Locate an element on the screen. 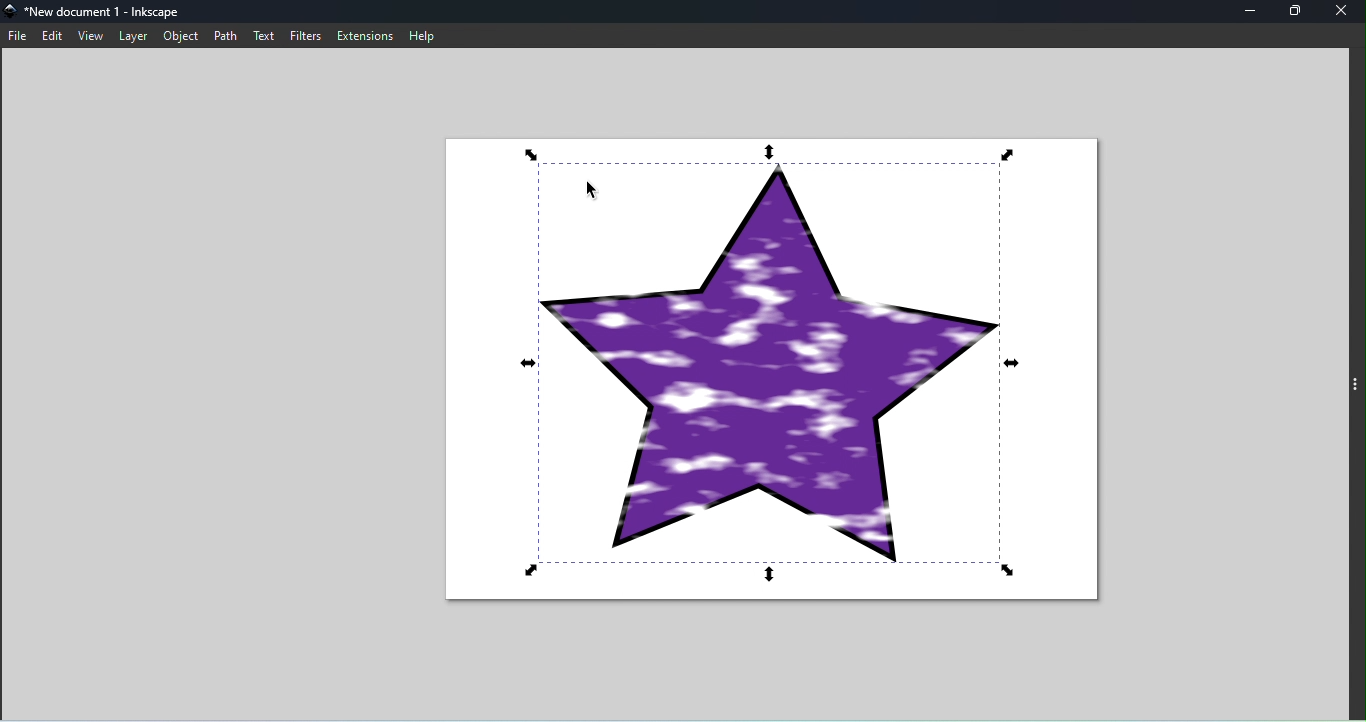  view is located at coordinates (90, 36).